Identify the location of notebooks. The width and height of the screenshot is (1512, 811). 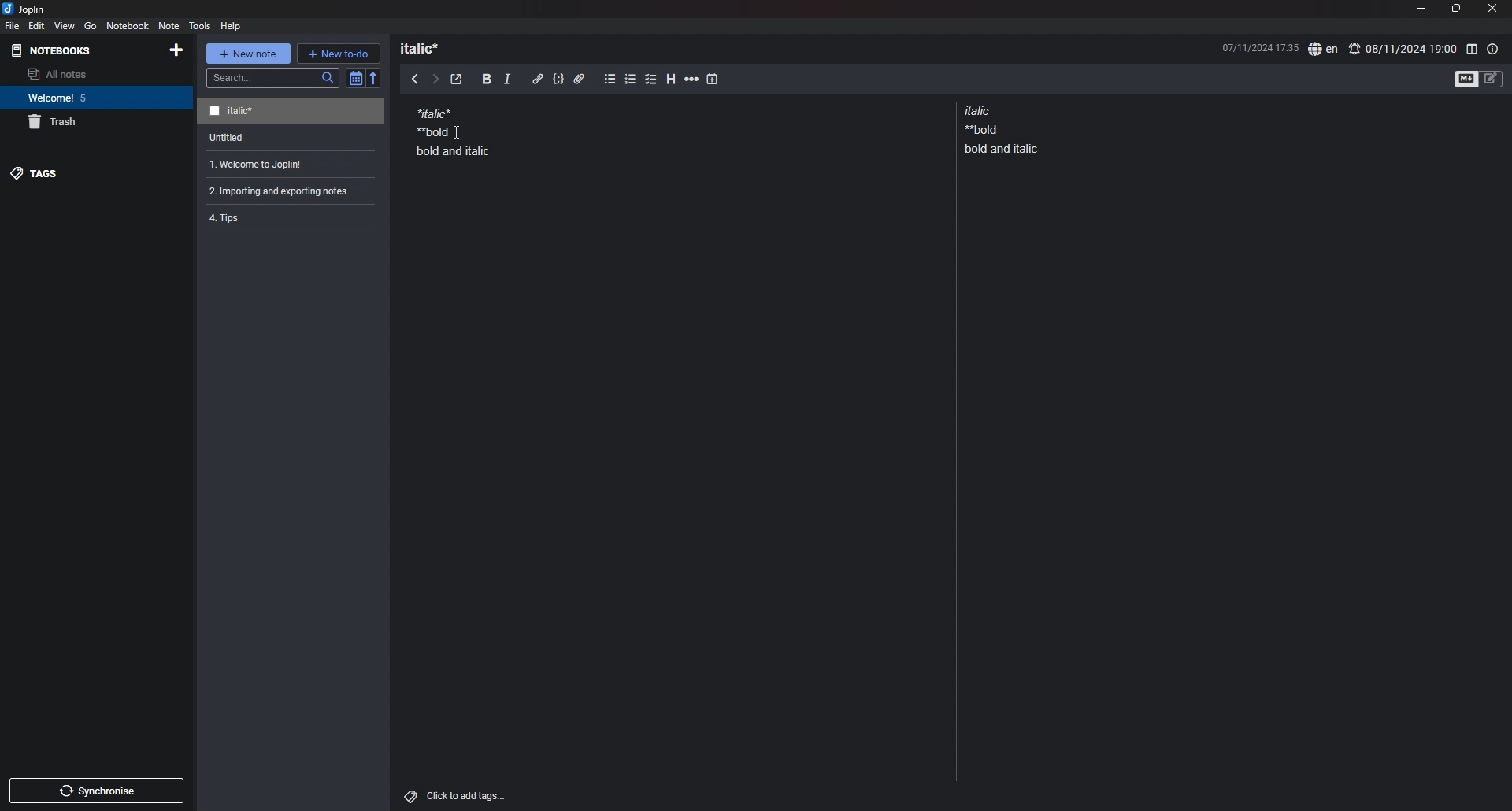
(55, 50).